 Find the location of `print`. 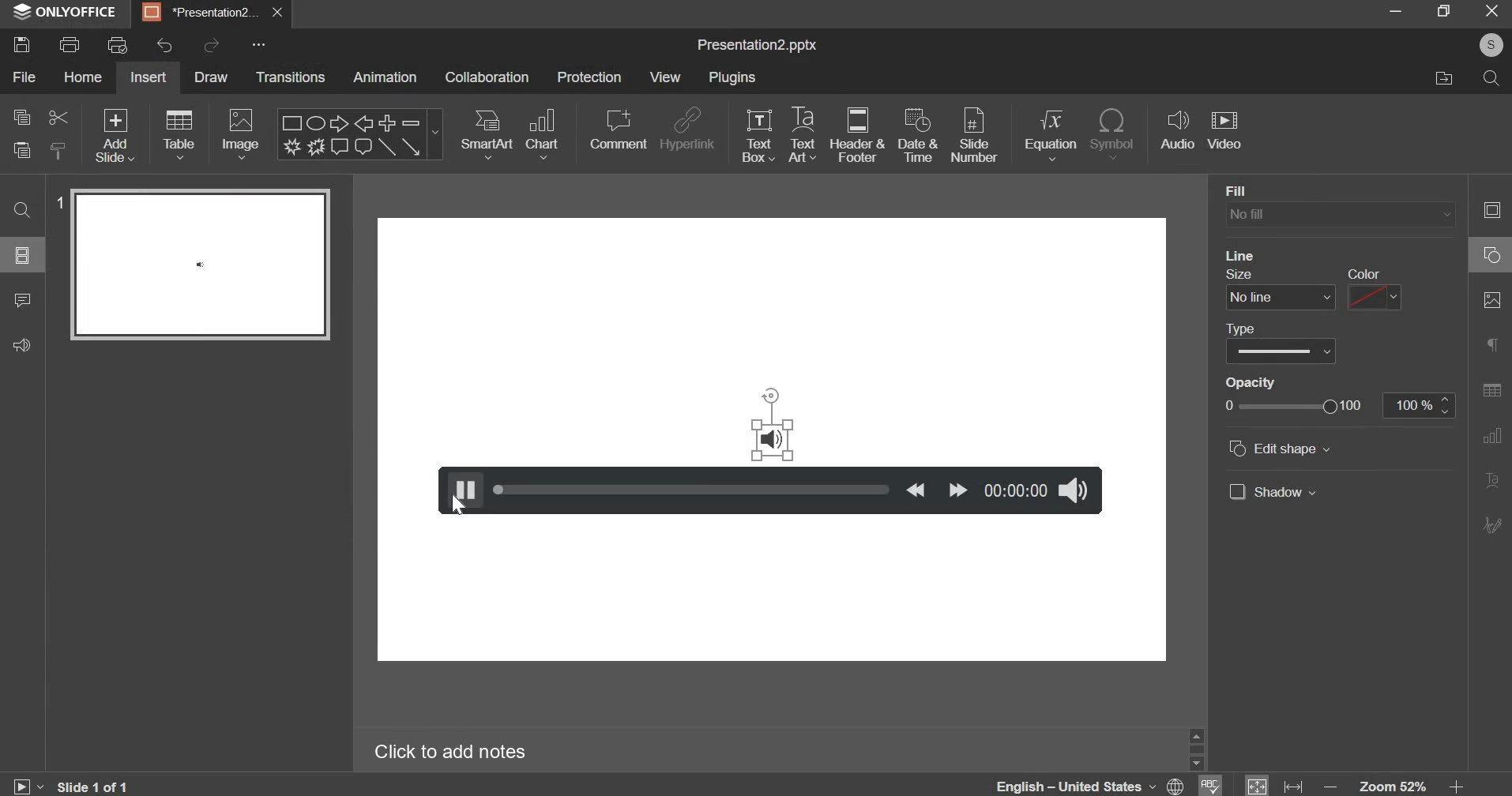

print is located at coordinates (70, 45).